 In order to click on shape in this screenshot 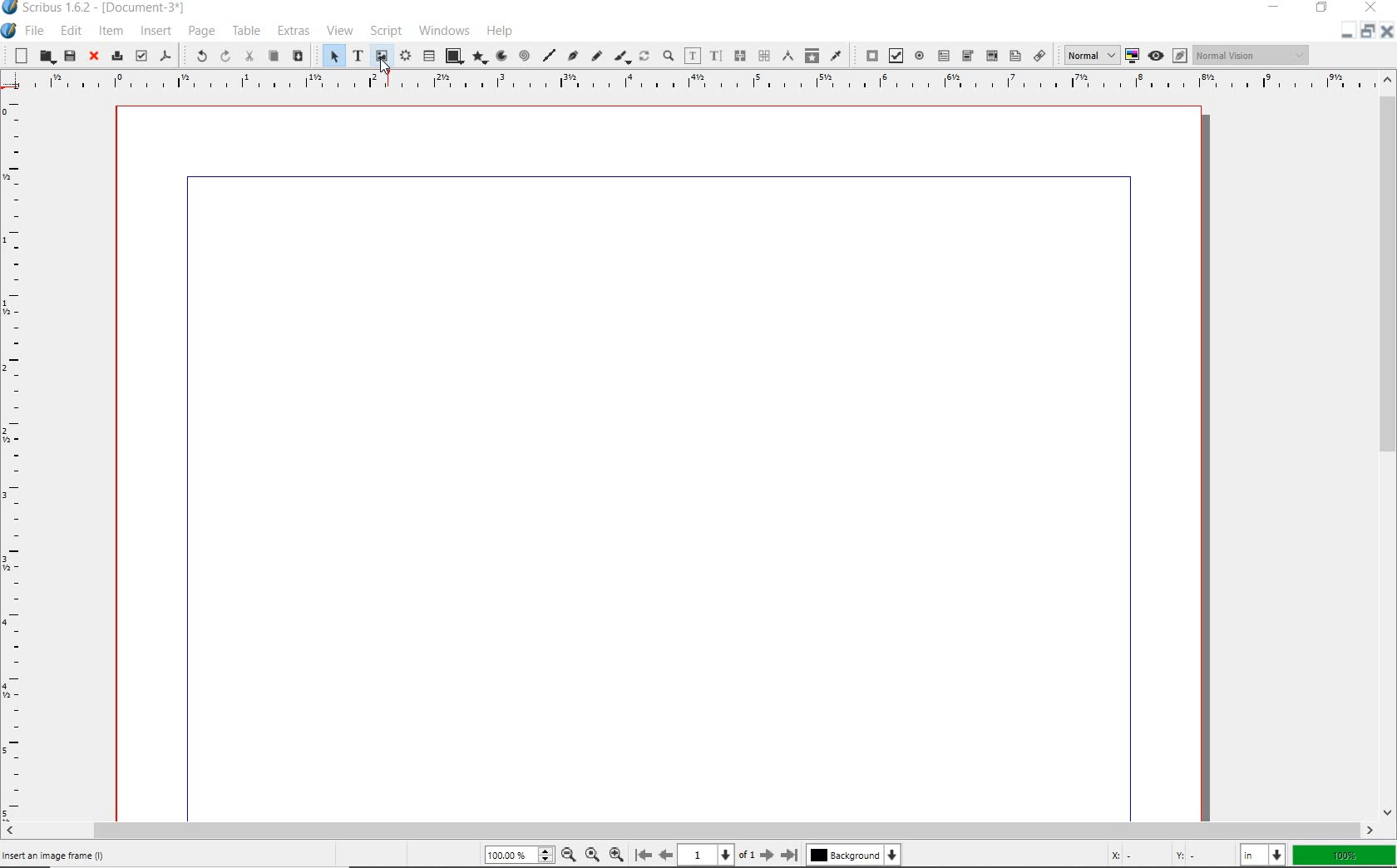, I will do `click(453, 56)`.